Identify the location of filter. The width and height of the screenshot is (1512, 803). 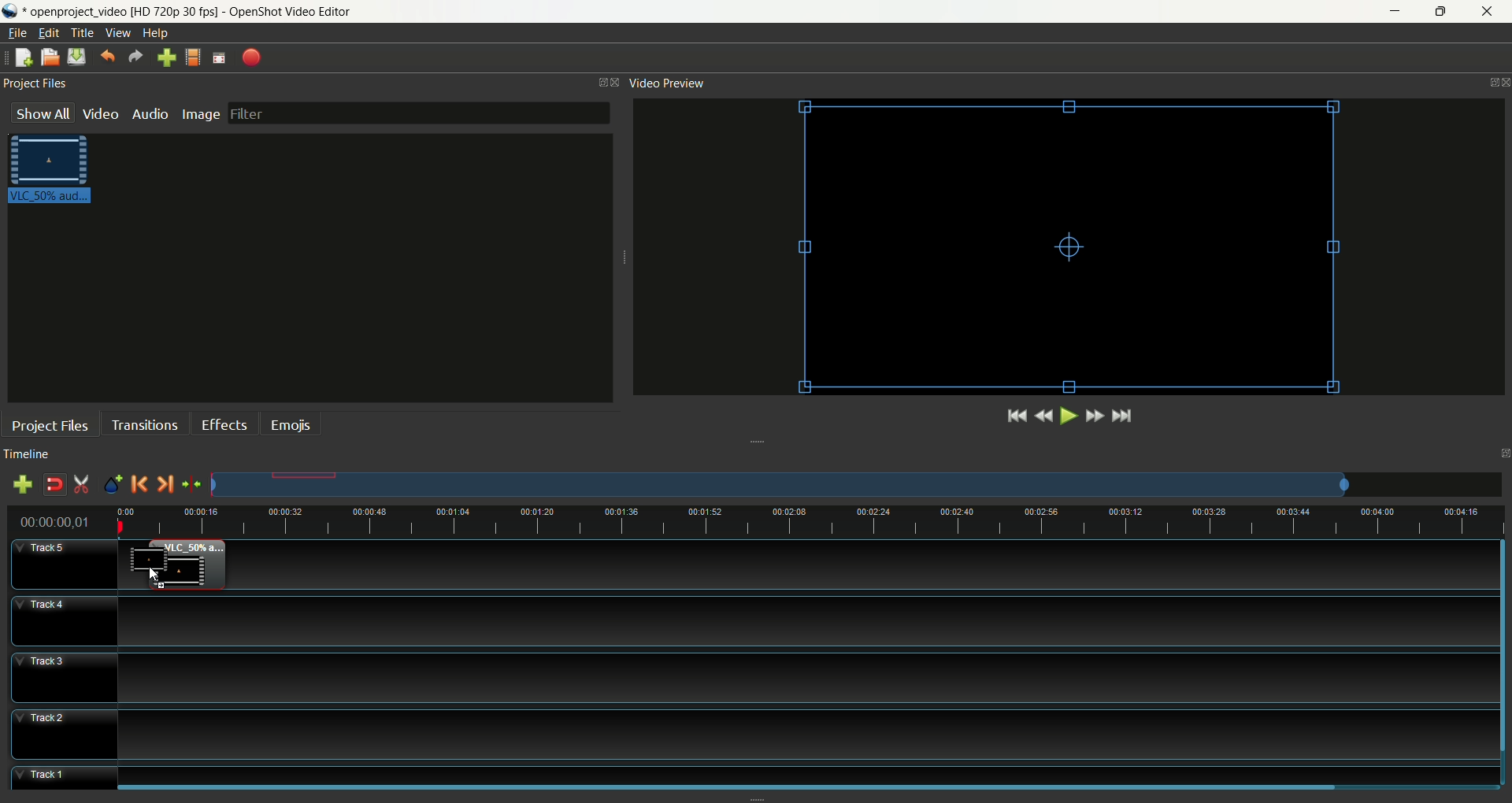
(421, 113).